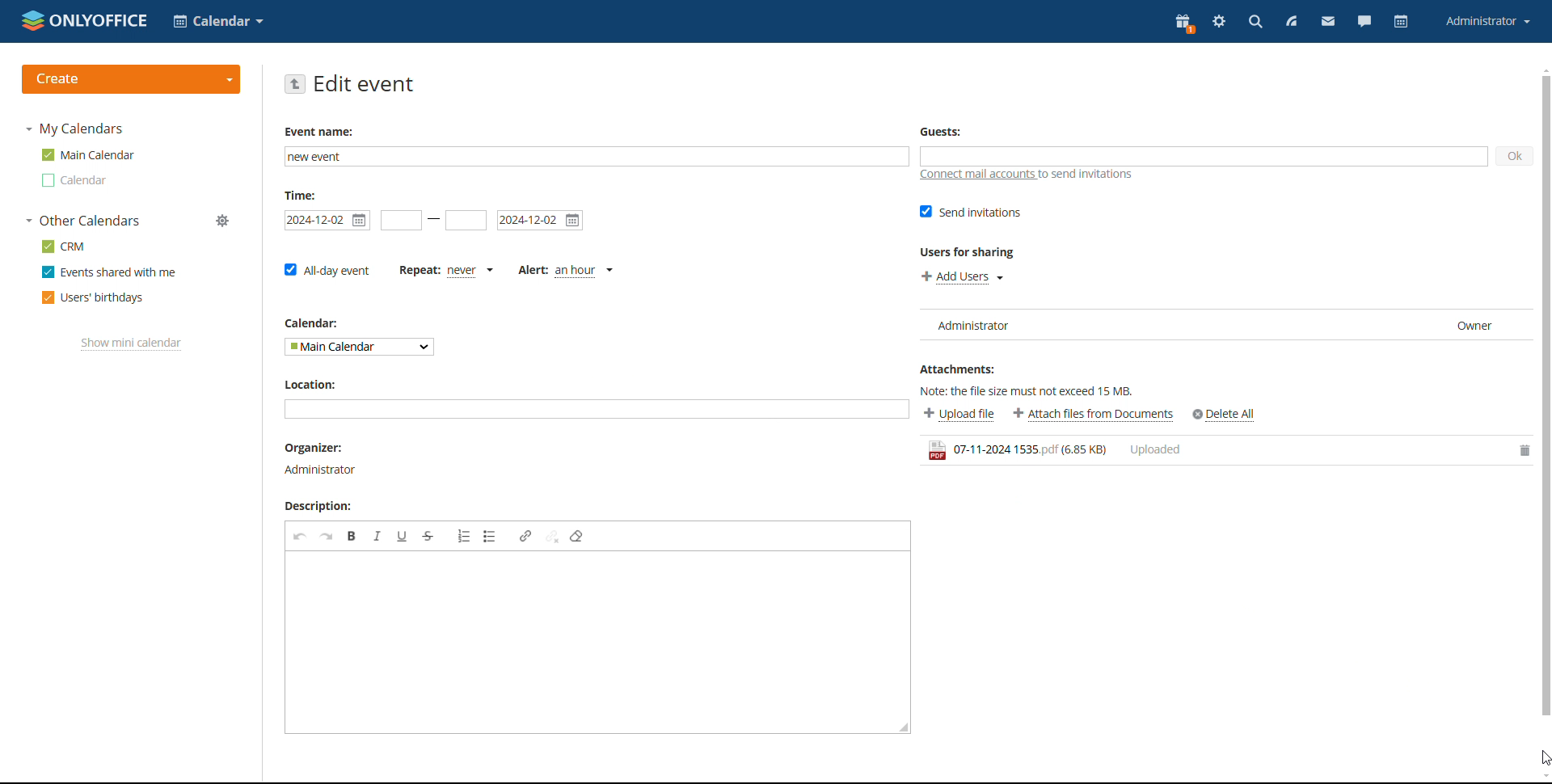 The height and width of the screenshot is (784, 1552). I want to click on connect mail accounts, so click(1031, 175).